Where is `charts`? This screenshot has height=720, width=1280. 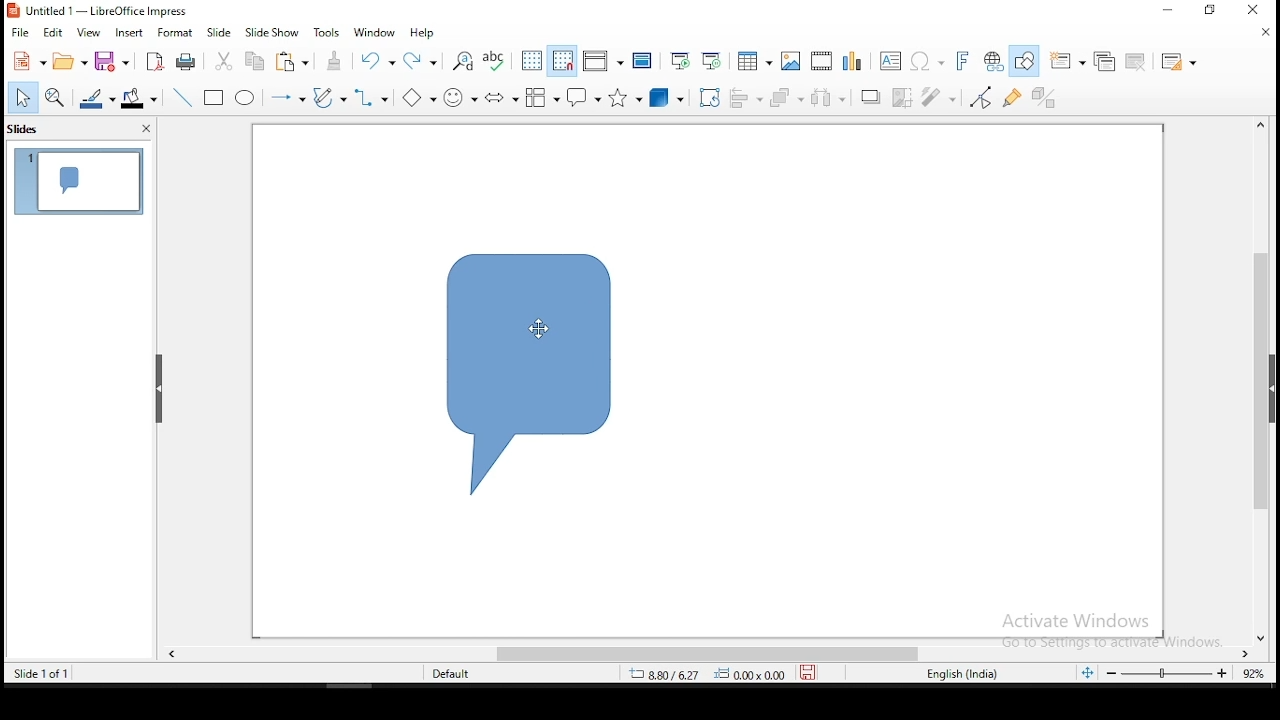 charts is located at coordinates (854, 60).